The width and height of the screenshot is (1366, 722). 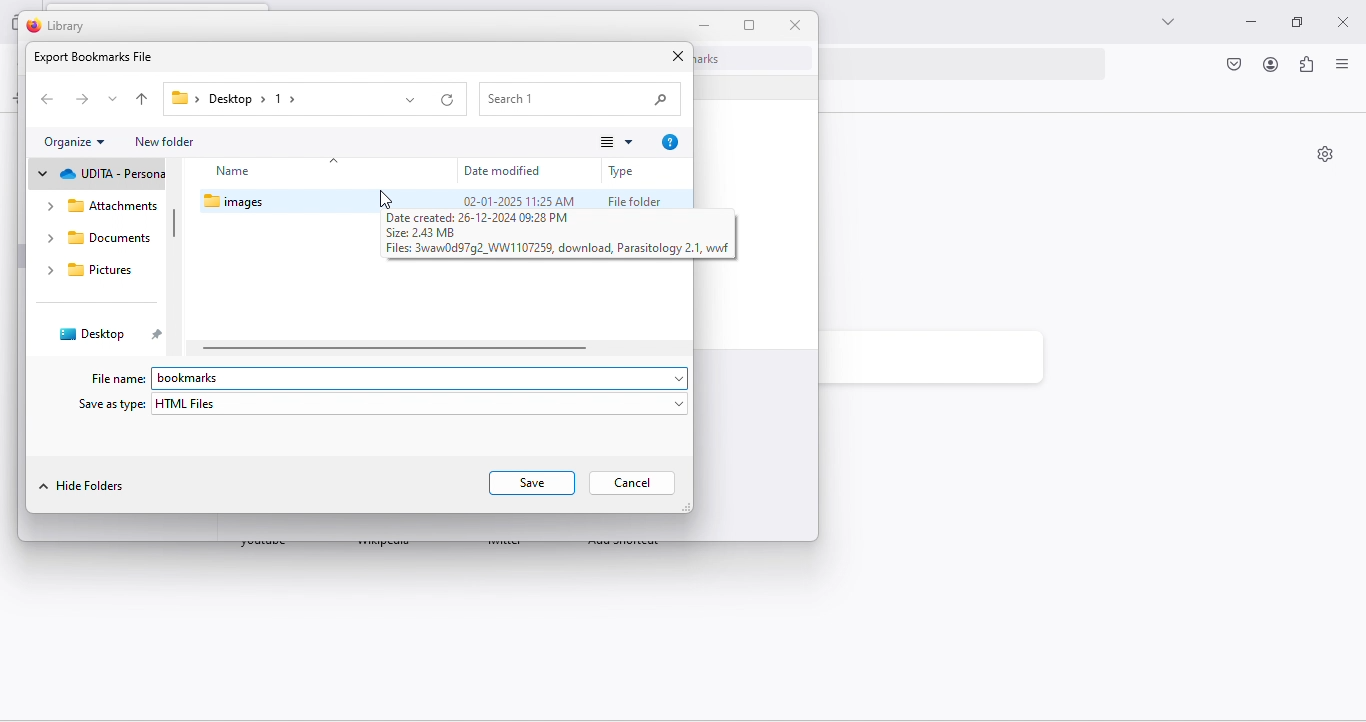 What do you see at coordinates (174, 225) in the screenshot?
I see `scroll bar` at bounding box center [174, 225].